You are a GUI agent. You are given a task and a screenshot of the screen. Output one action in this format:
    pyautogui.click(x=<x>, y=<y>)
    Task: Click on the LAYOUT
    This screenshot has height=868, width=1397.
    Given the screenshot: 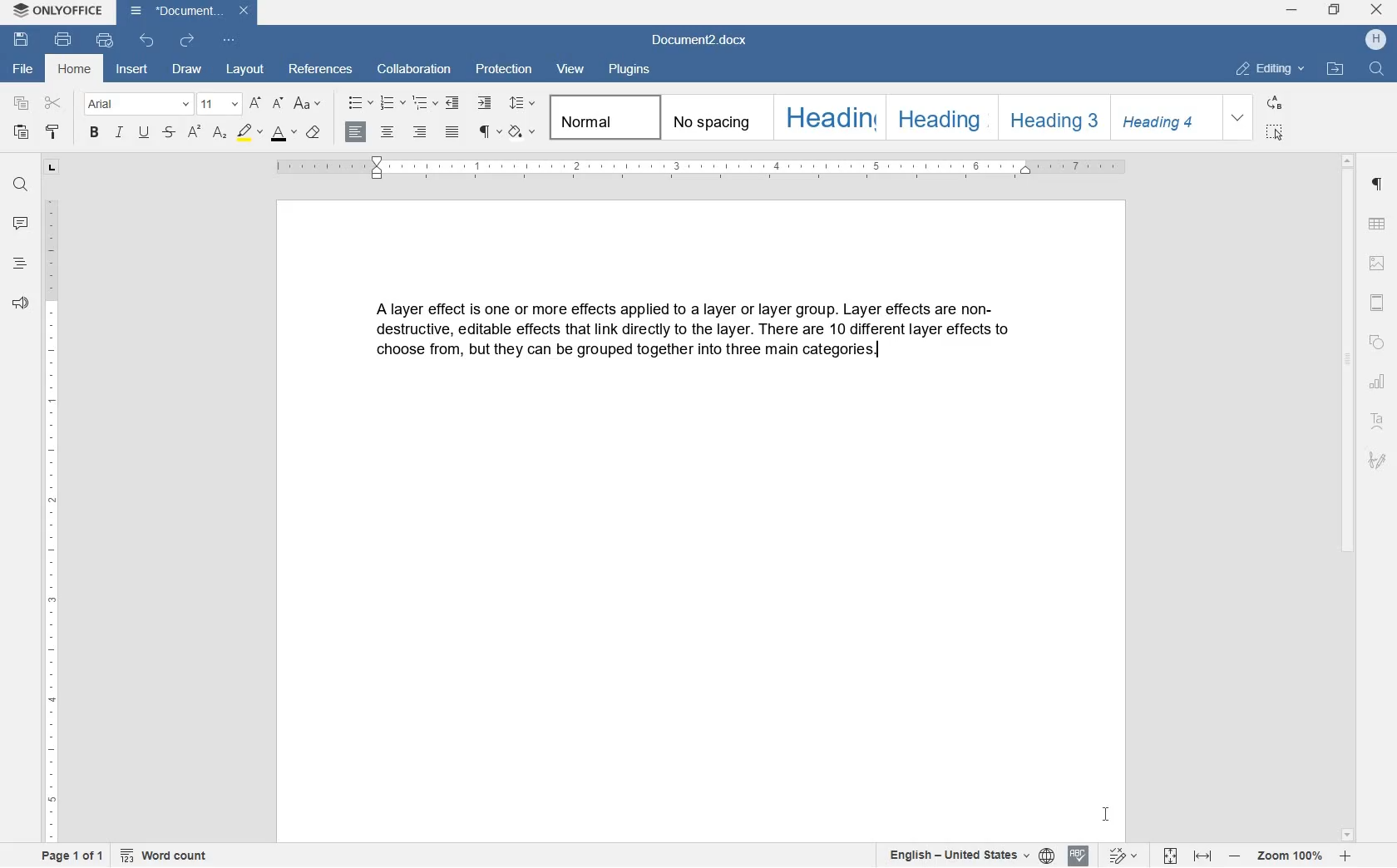 What is the action you would take?
    pyautogui.click(x=245, y=71)
    